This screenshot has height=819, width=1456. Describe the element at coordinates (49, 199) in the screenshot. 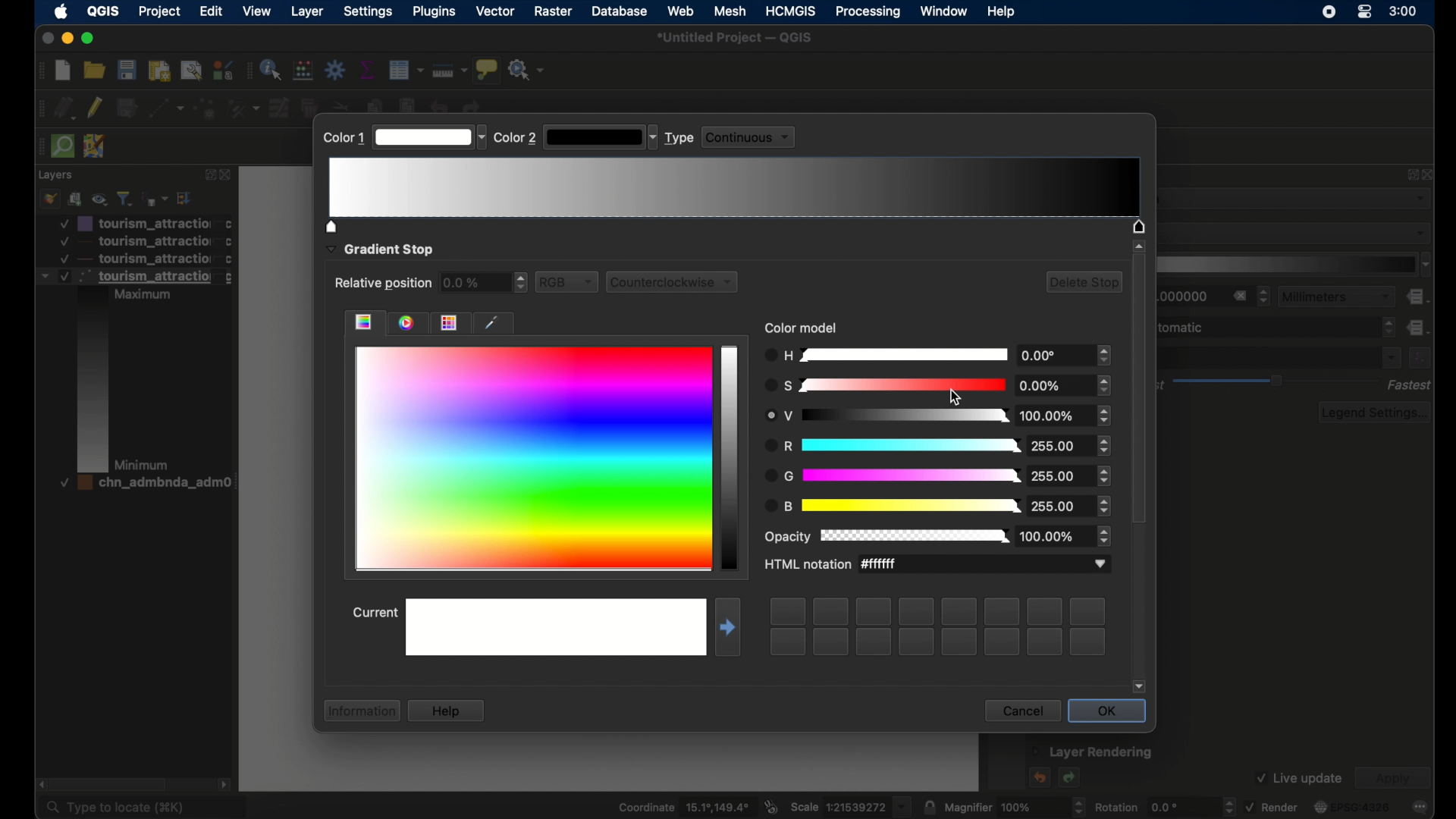

I see `open styling panel` at that location.